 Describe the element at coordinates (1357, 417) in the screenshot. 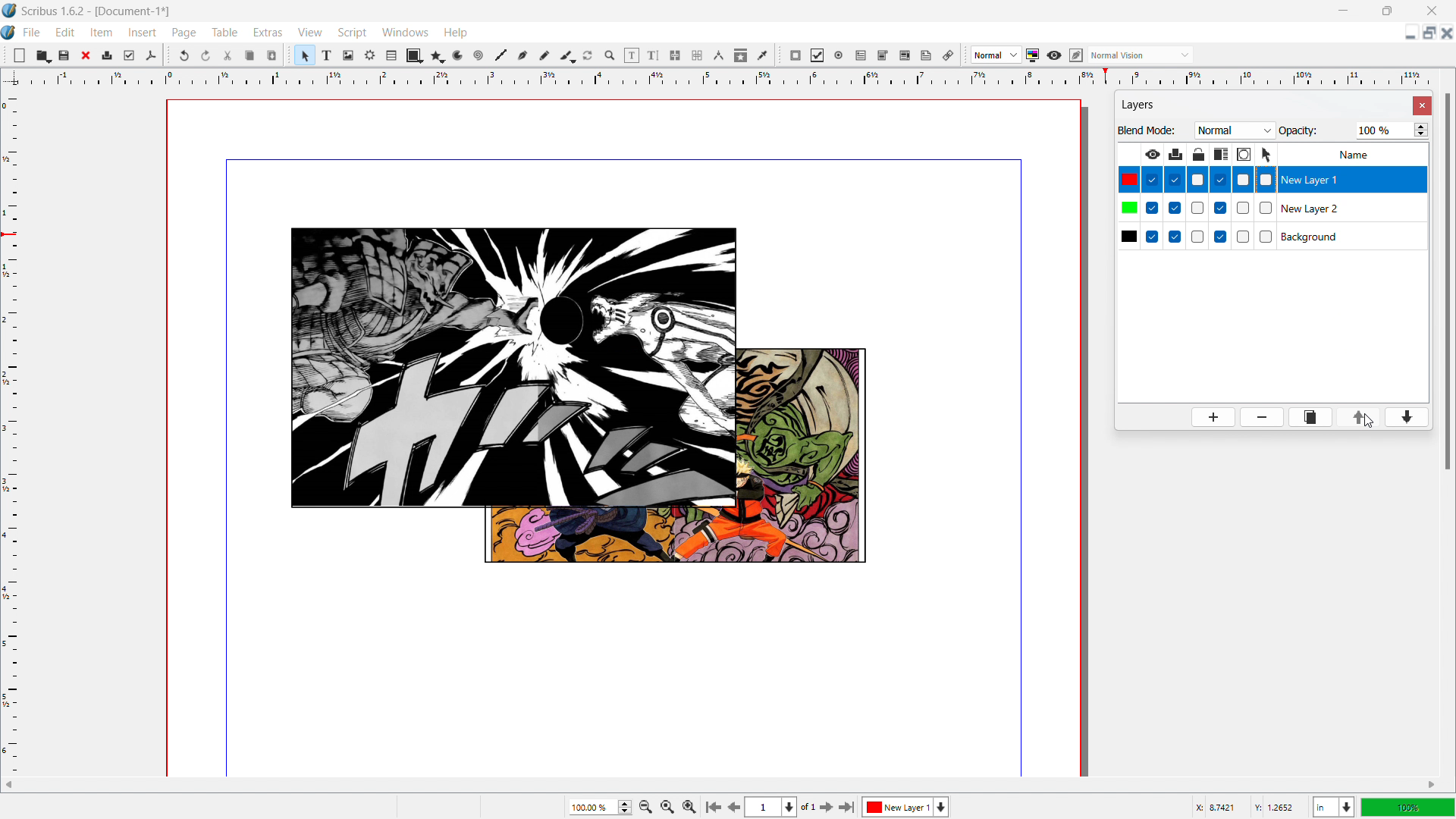

I see `move layer up` at that location.